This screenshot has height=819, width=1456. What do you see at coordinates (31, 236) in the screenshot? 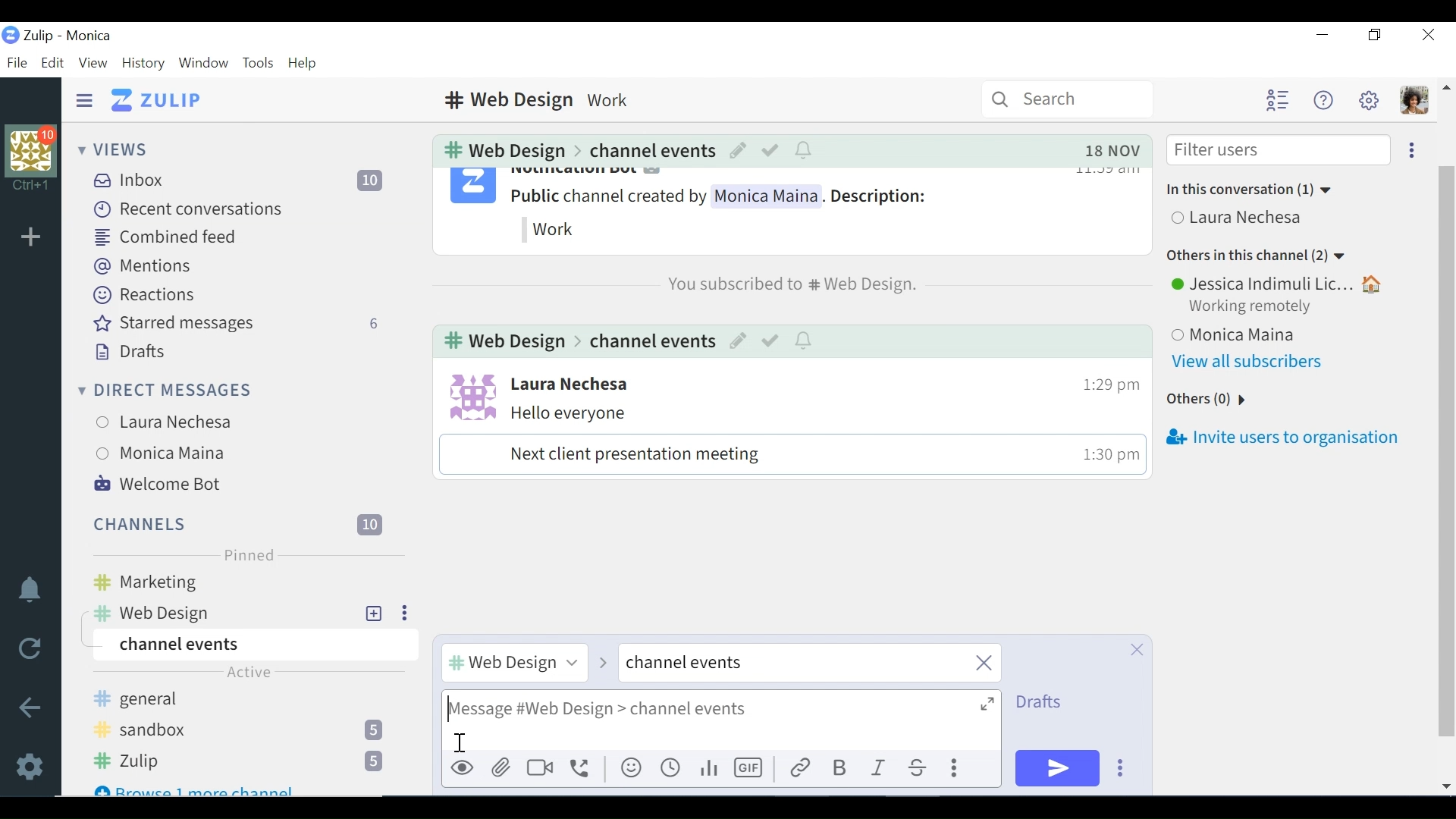
I see `Add Organisation` at bounding box center [31, 236].